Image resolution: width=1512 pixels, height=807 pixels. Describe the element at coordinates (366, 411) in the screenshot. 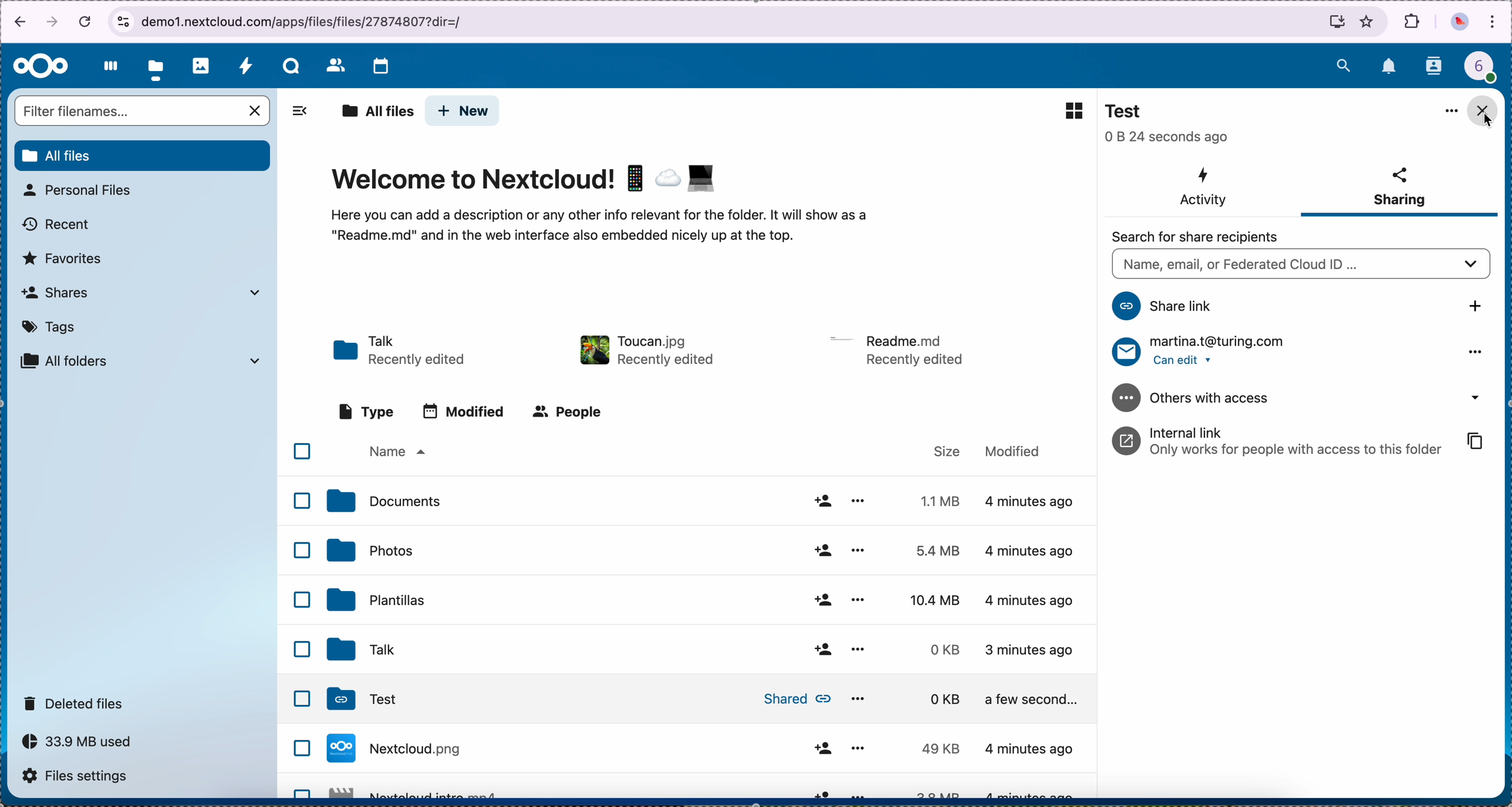

I see `type` at that location.